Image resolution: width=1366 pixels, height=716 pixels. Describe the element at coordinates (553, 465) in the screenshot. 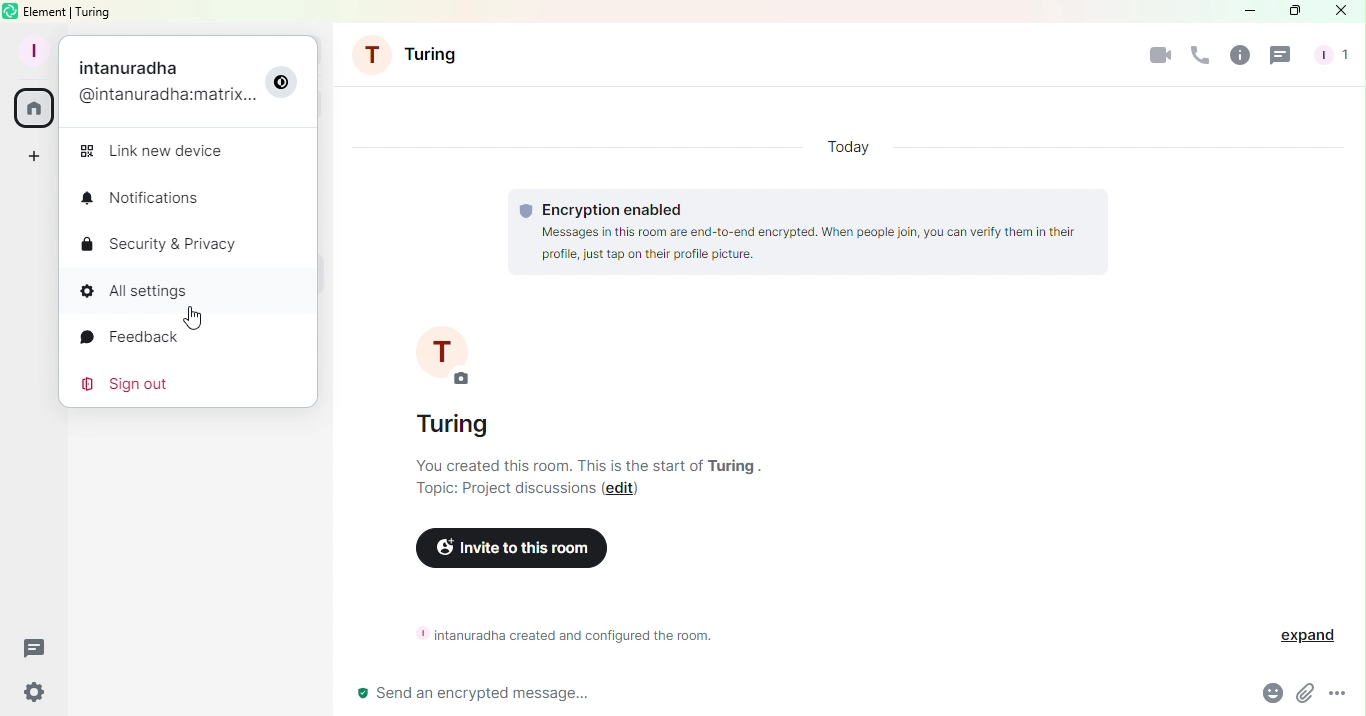

I see `you created this room. This is the start of` at that location.